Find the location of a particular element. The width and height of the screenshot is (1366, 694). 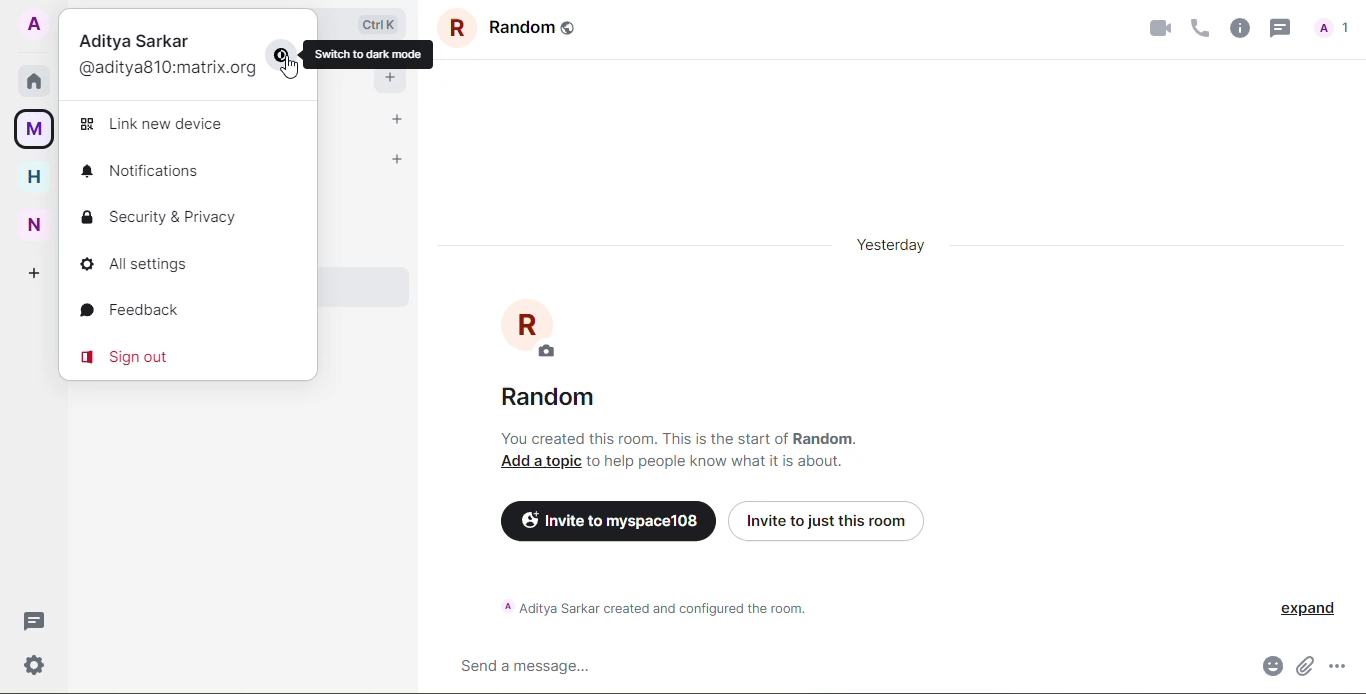

expand is located at coordinates (1306, 609).